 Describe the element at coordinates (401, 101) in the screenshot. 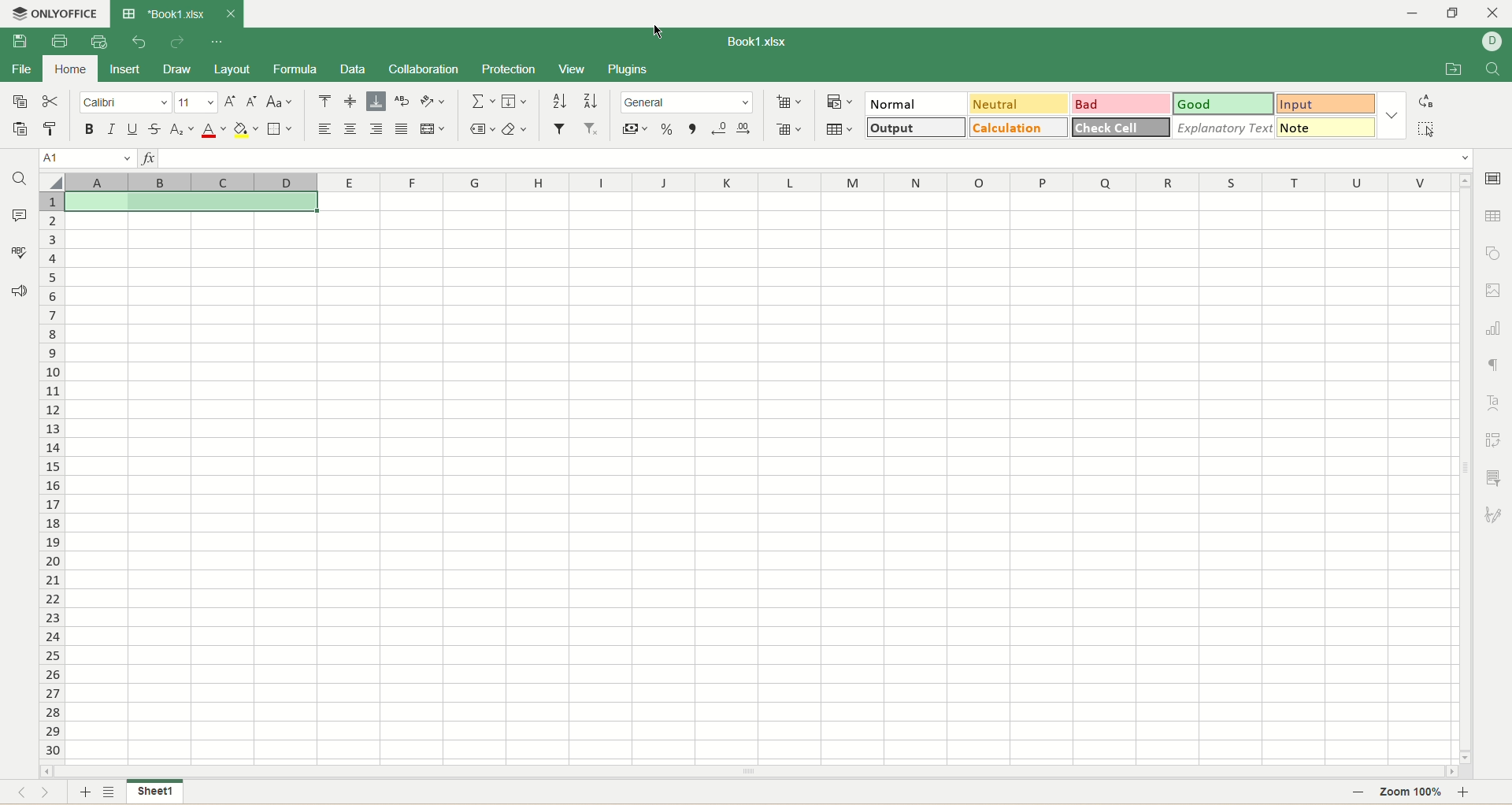

I see `wrap text` at that location.